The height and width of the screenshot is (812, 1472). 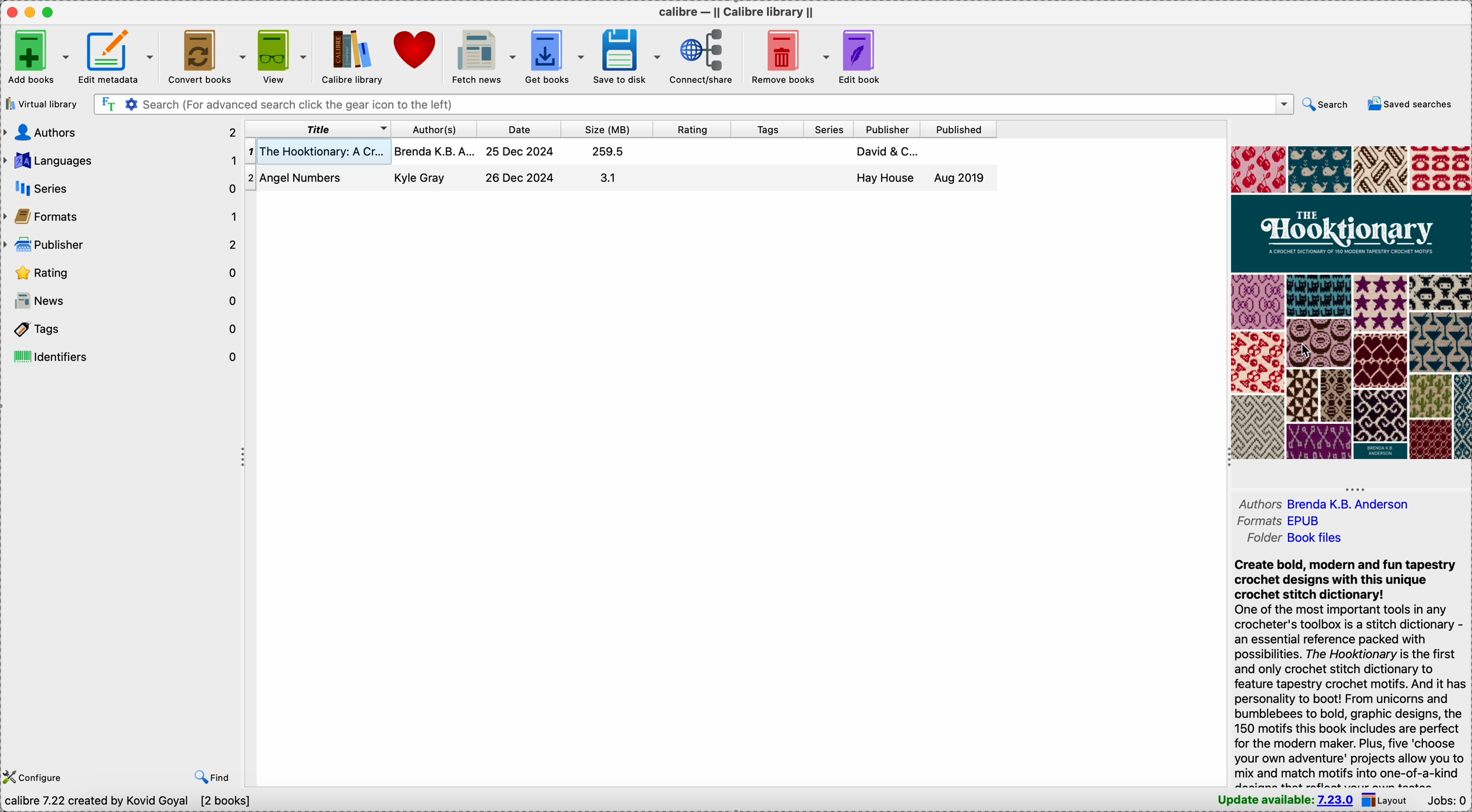 What do you see at coordinates (621, 182) in the screenshot?
I see `second book` at bounding box center [621, 182].